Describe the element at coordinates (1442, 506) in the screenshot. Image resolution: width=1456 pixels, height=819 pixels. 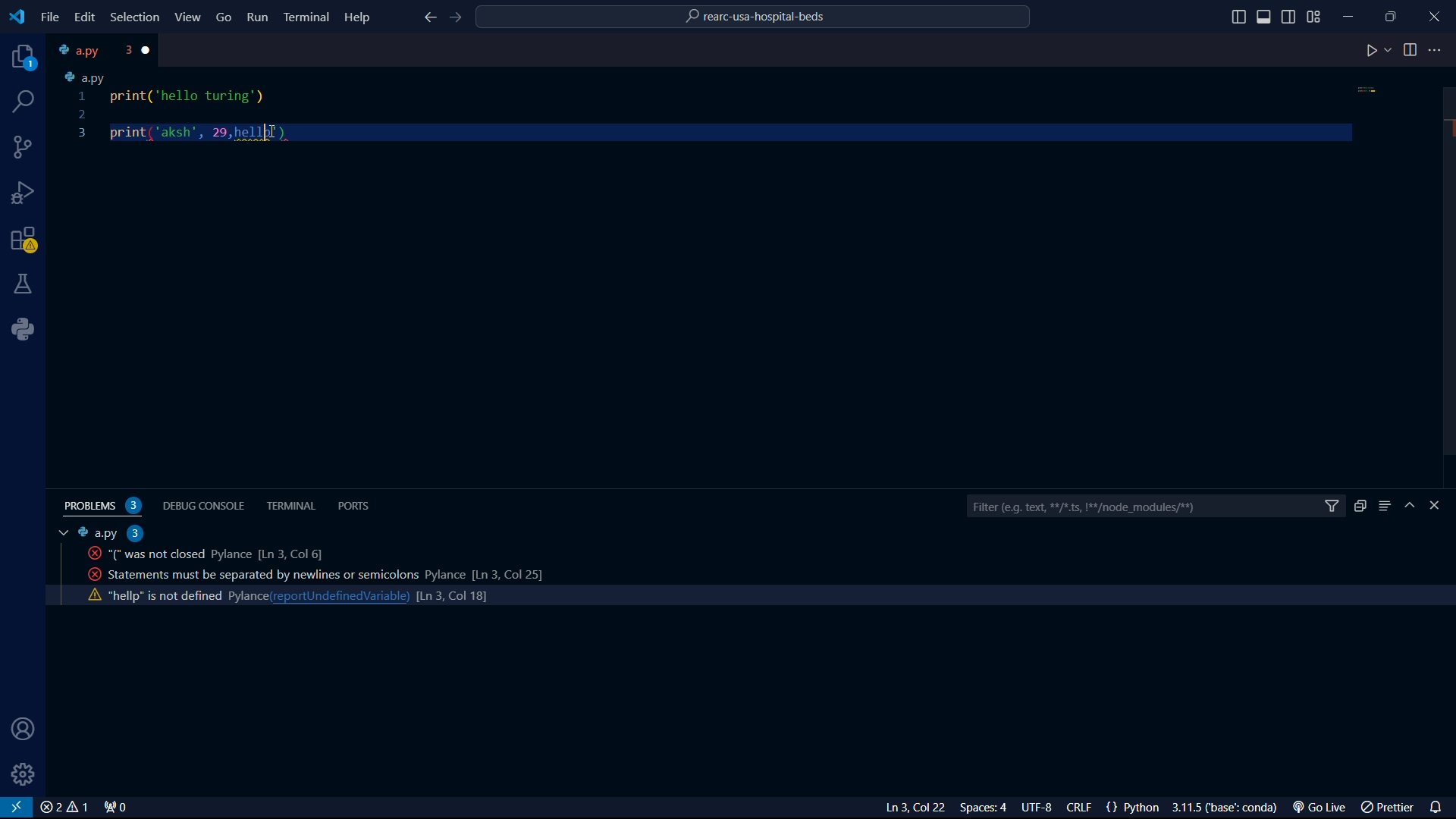
I see `close bar` at that location.